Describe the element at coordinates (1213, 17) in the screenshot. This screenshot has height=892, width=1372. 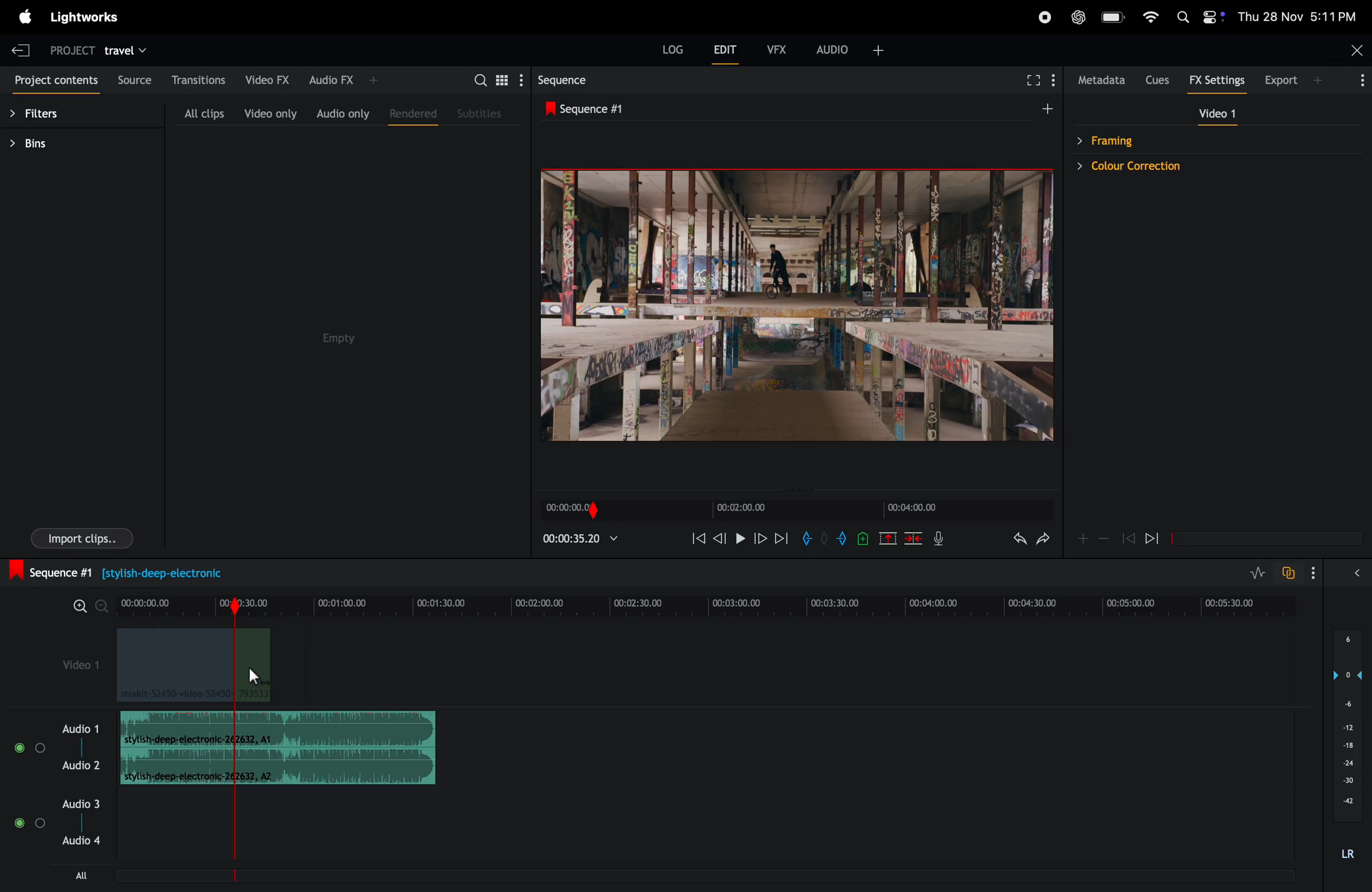
I see `Control Center` at that location.